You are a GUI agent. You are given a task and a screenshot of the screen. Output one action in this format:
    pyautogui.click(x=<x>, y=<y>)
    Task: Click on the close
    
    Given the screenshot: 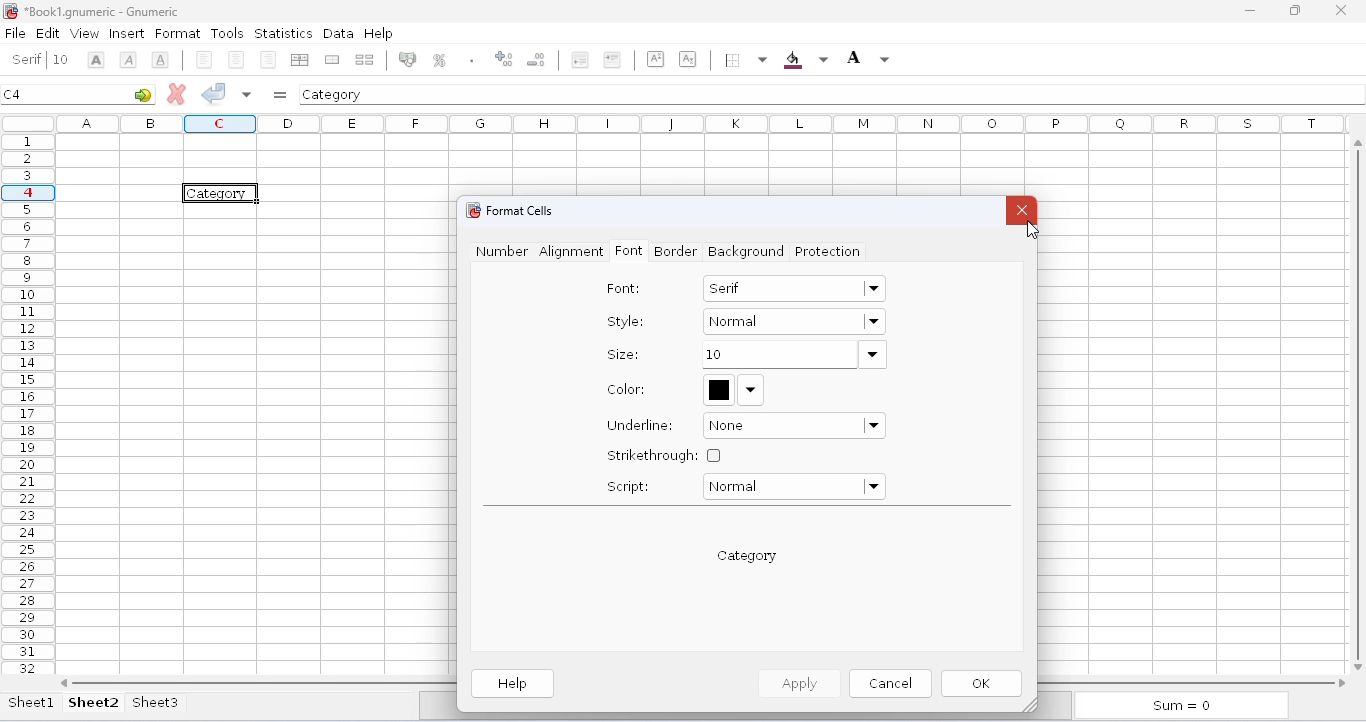 What is the action you would take?
    pyautogui.click(x=1344, y=10)
    